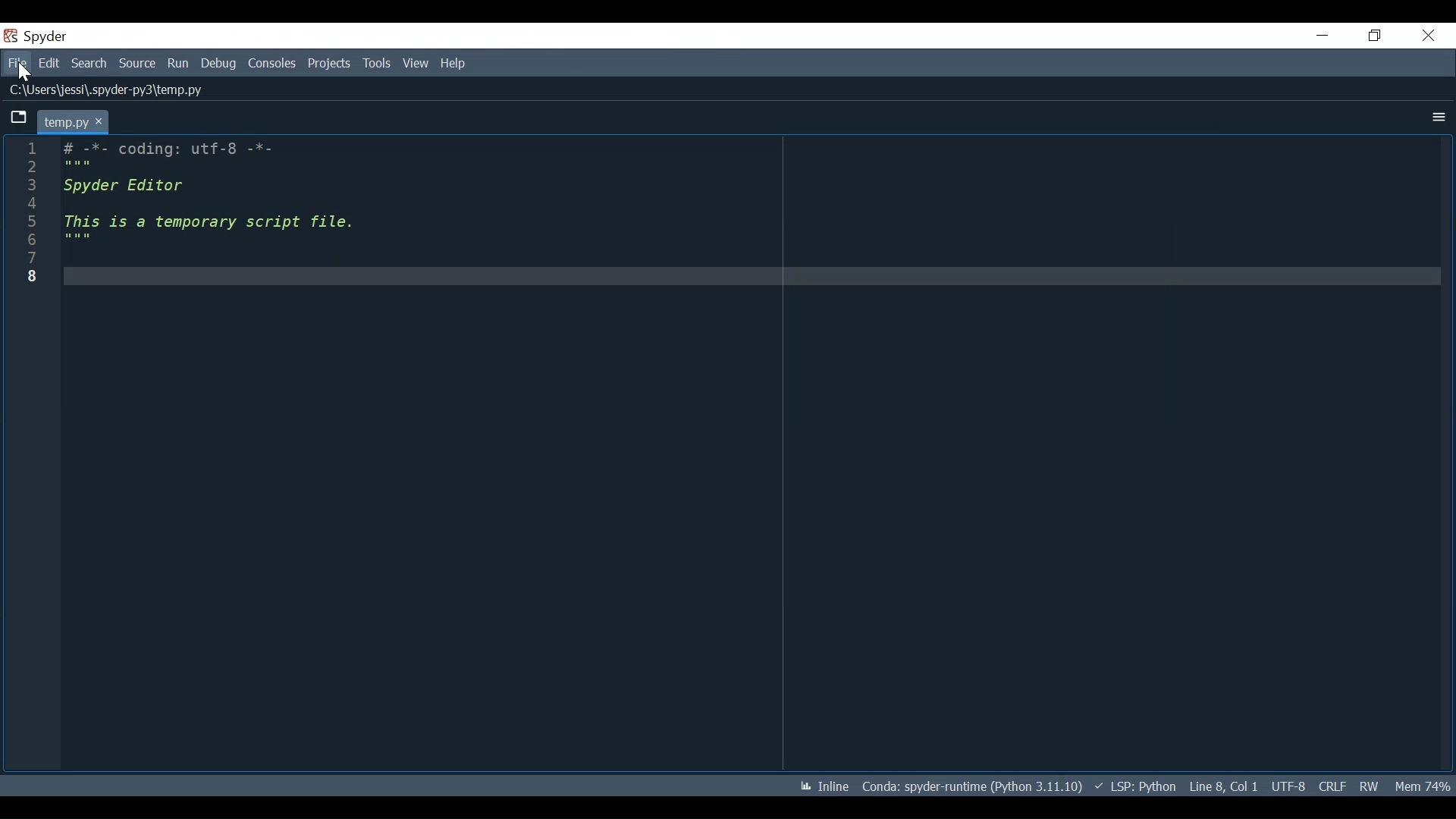 This screenshot has width=1456, height=819. I want to click on More Options, so click(1437, 119).